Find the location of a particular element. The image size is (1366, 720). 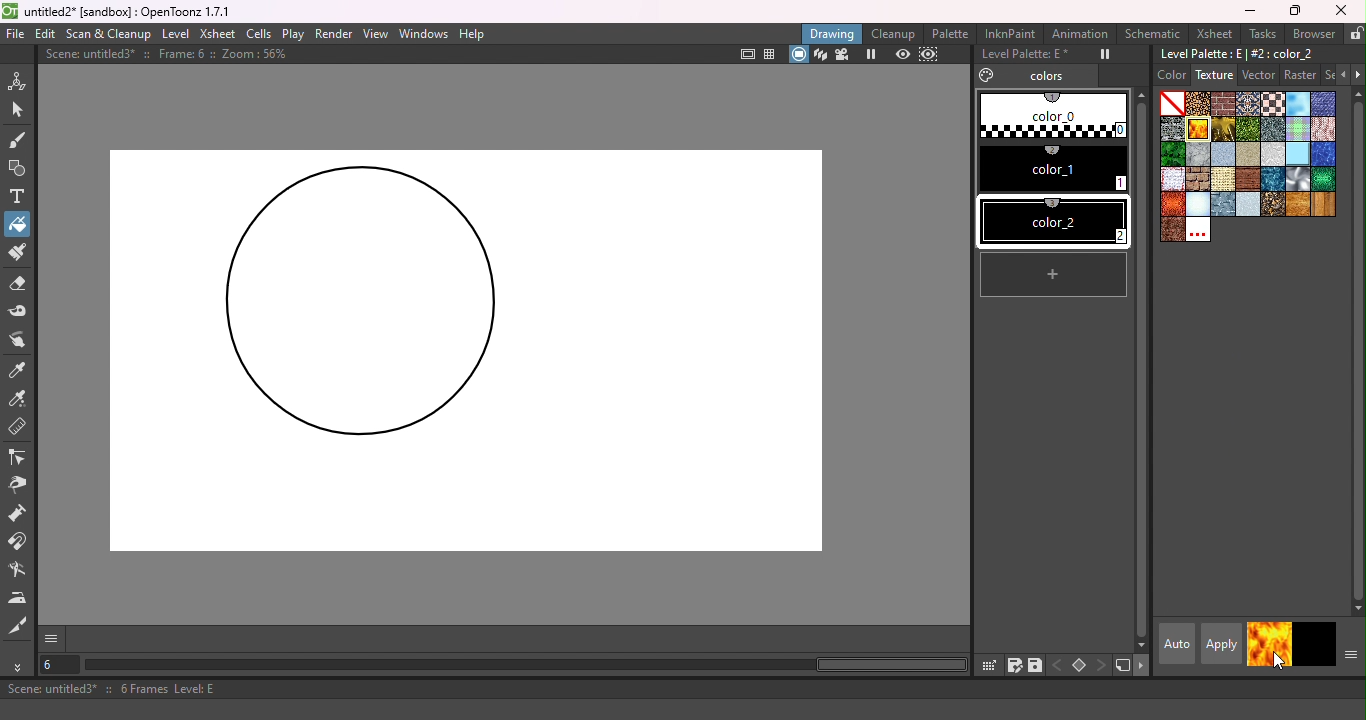

Freeze is located at coordinates (872, 54).